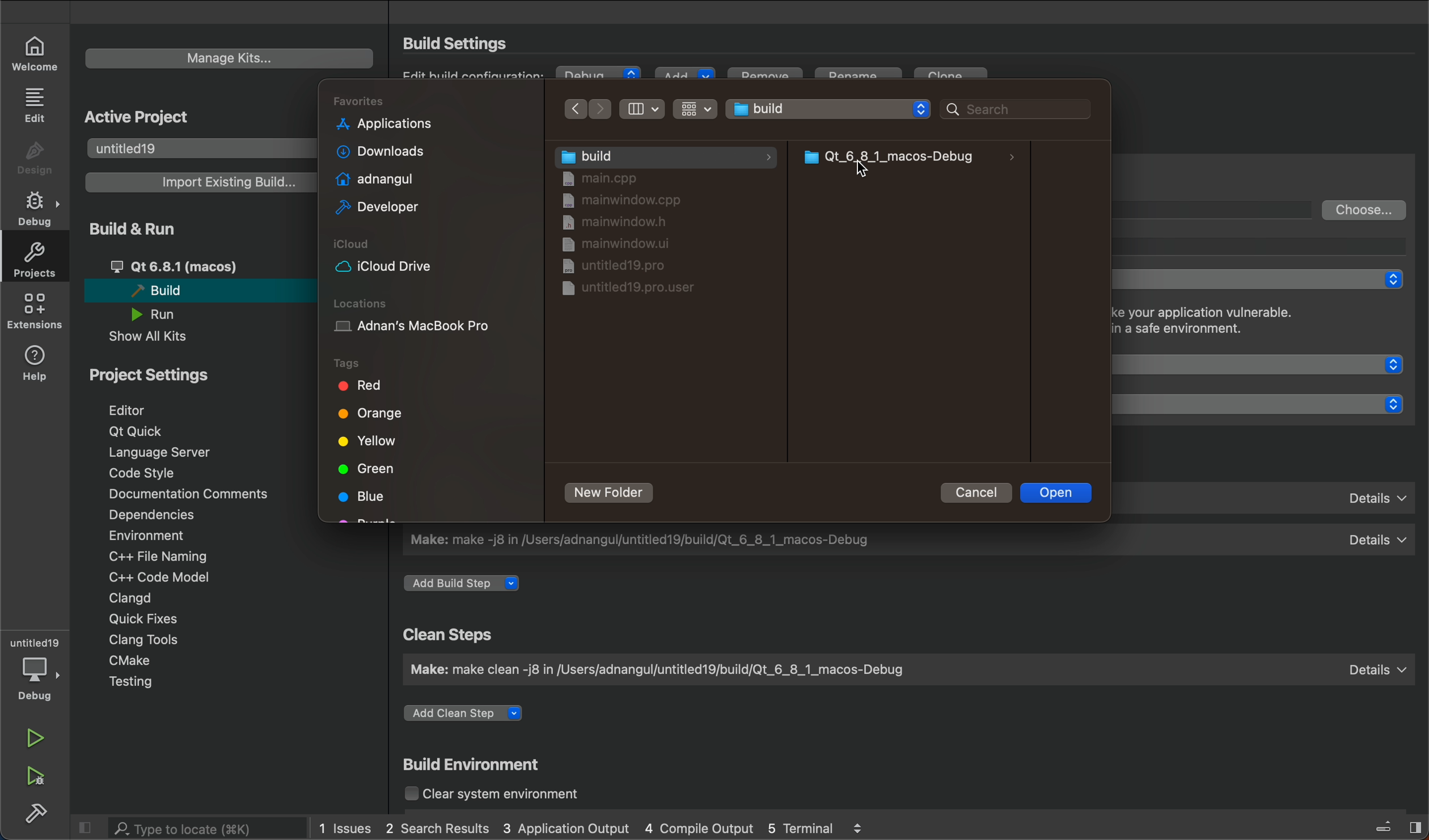  I want to click on build, so click(37, 811).